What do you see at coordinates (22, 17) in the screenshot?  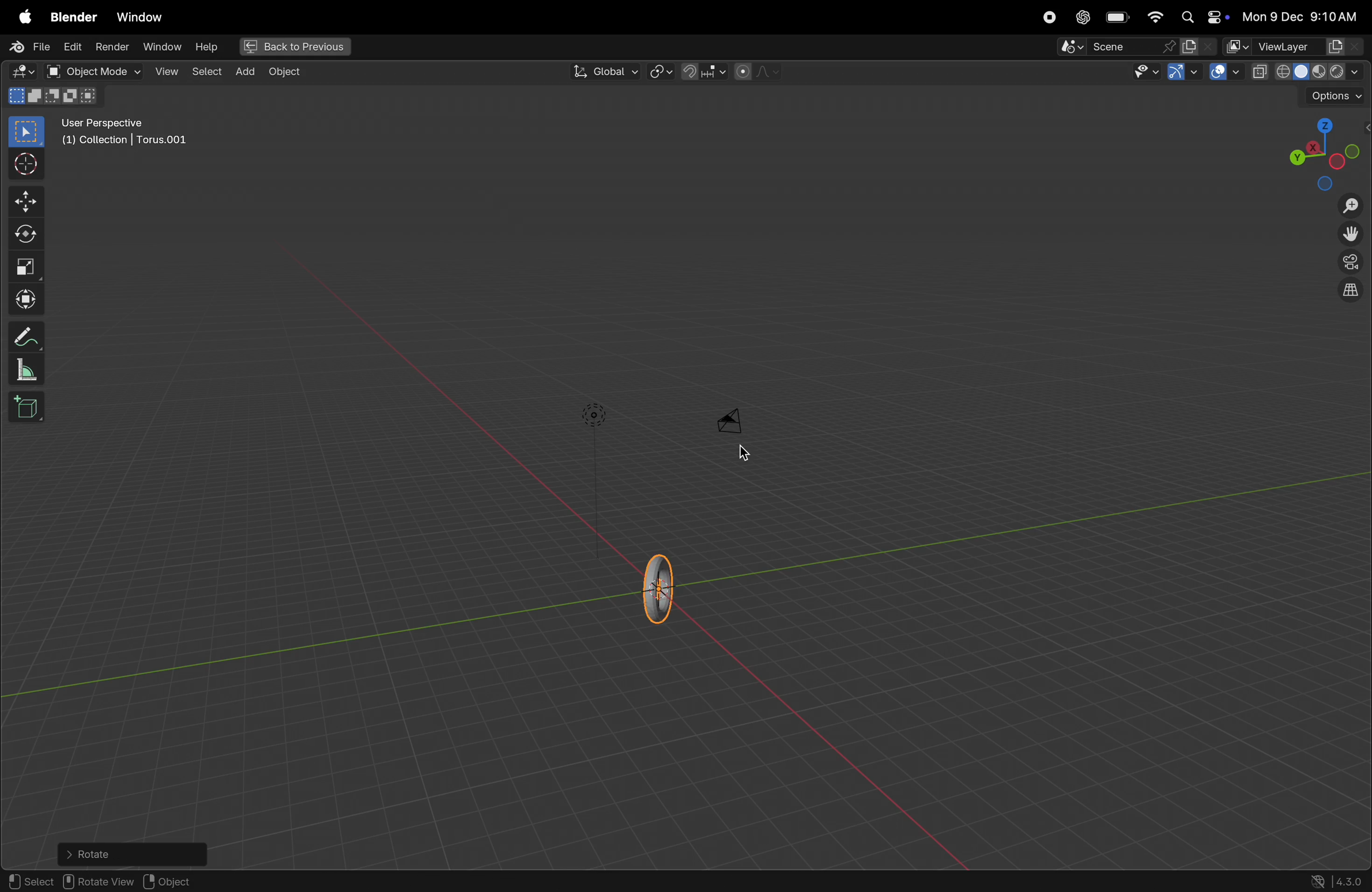 I see `apple menu` at bounding box center [22, 17].